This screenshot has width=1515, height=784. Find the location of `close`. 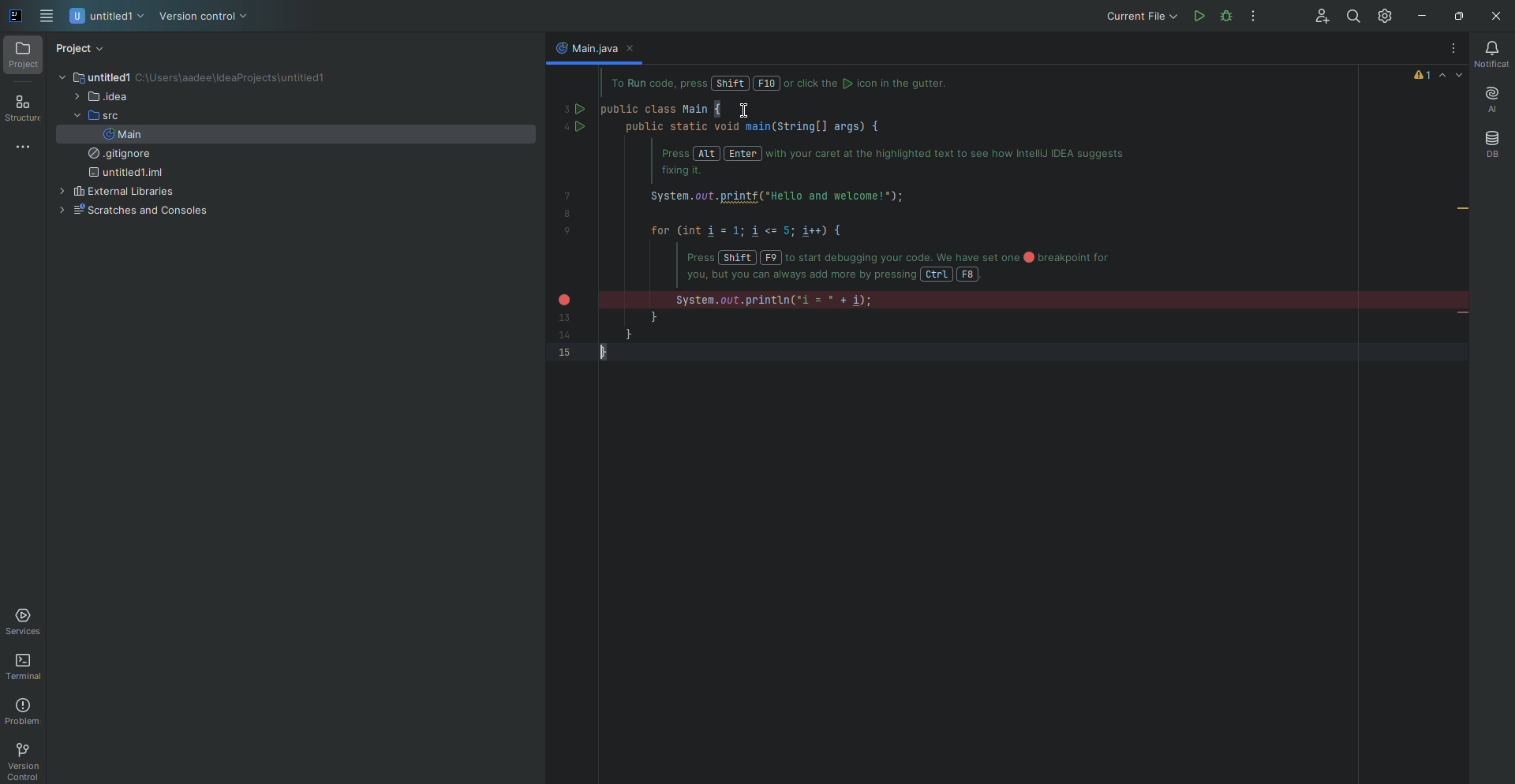

close is located at coordinates (635, 49).